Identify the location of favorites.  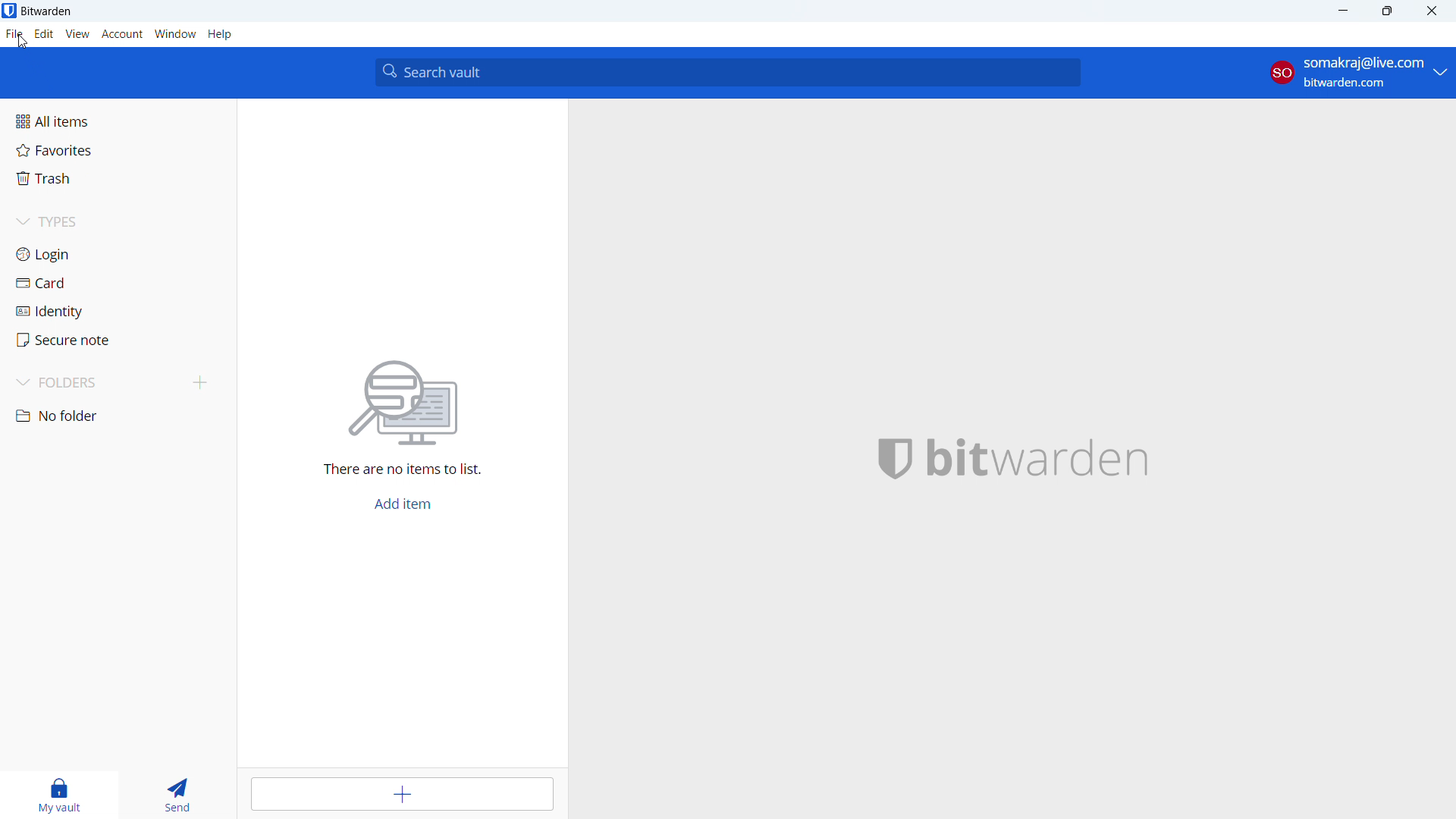
(116, 150).